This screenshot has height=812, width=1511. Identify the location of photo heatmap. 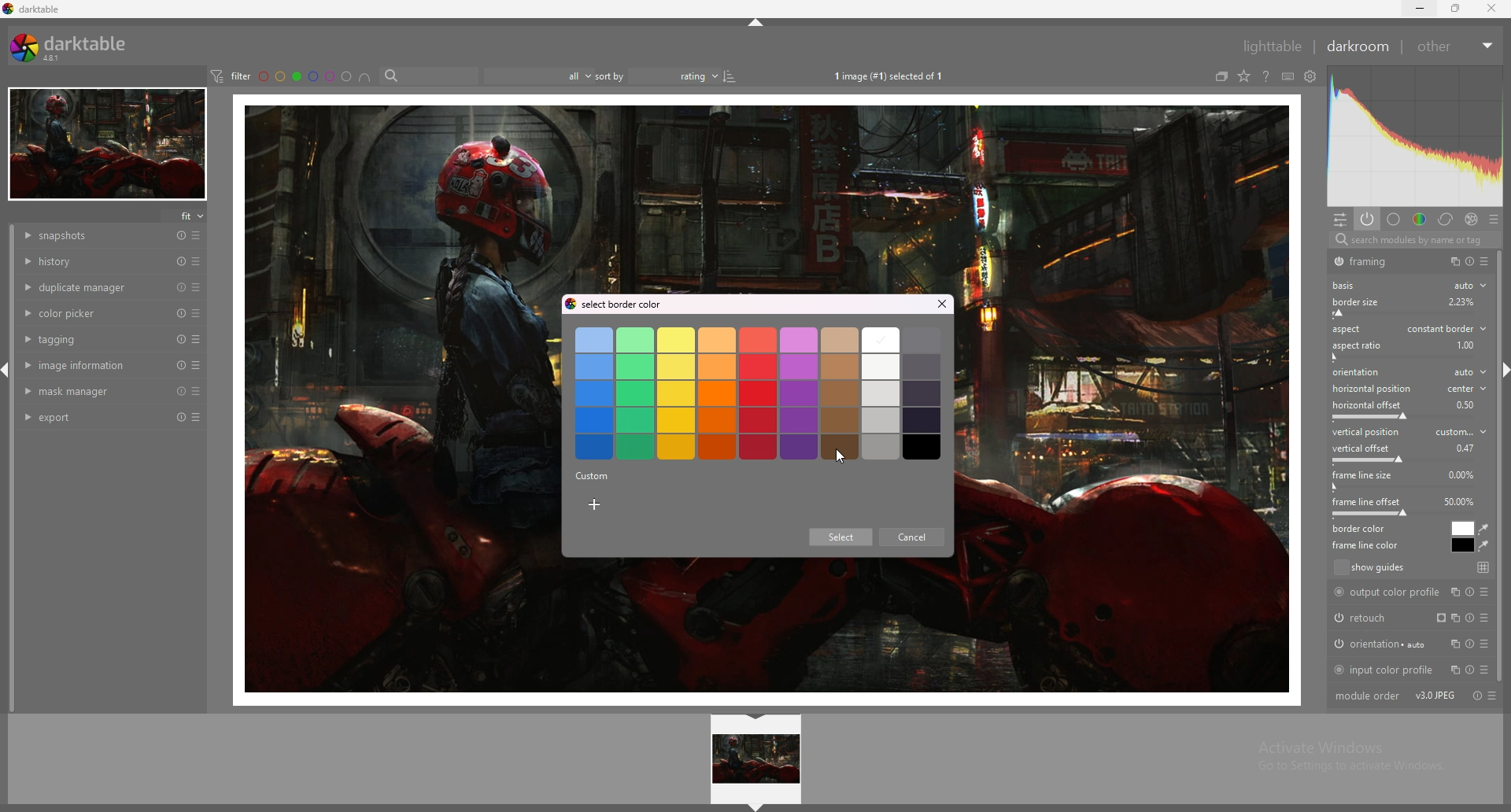
(1414, 138).